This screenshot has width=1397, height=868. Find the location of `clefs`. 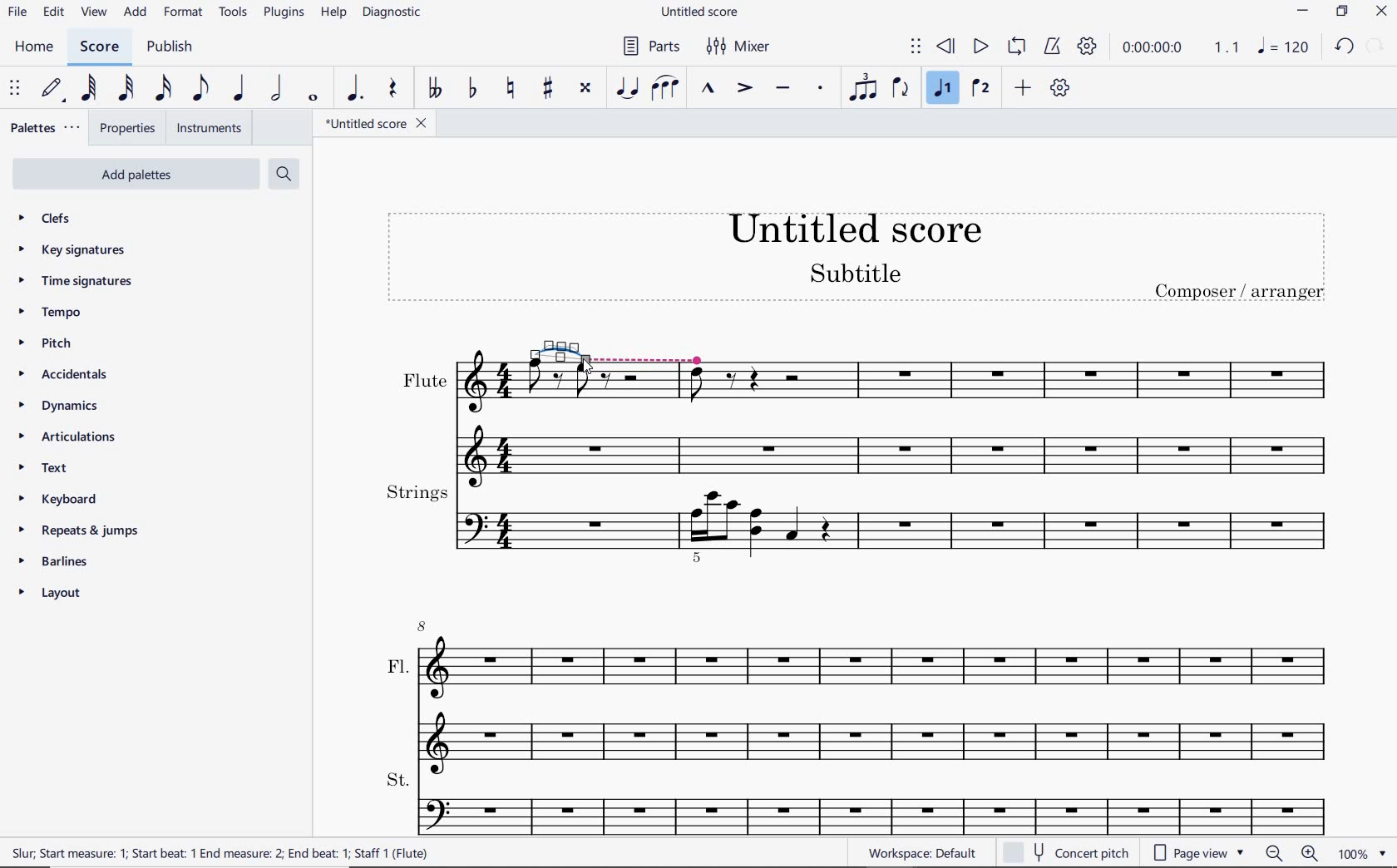

clefs is located at coordinates (54, 220).